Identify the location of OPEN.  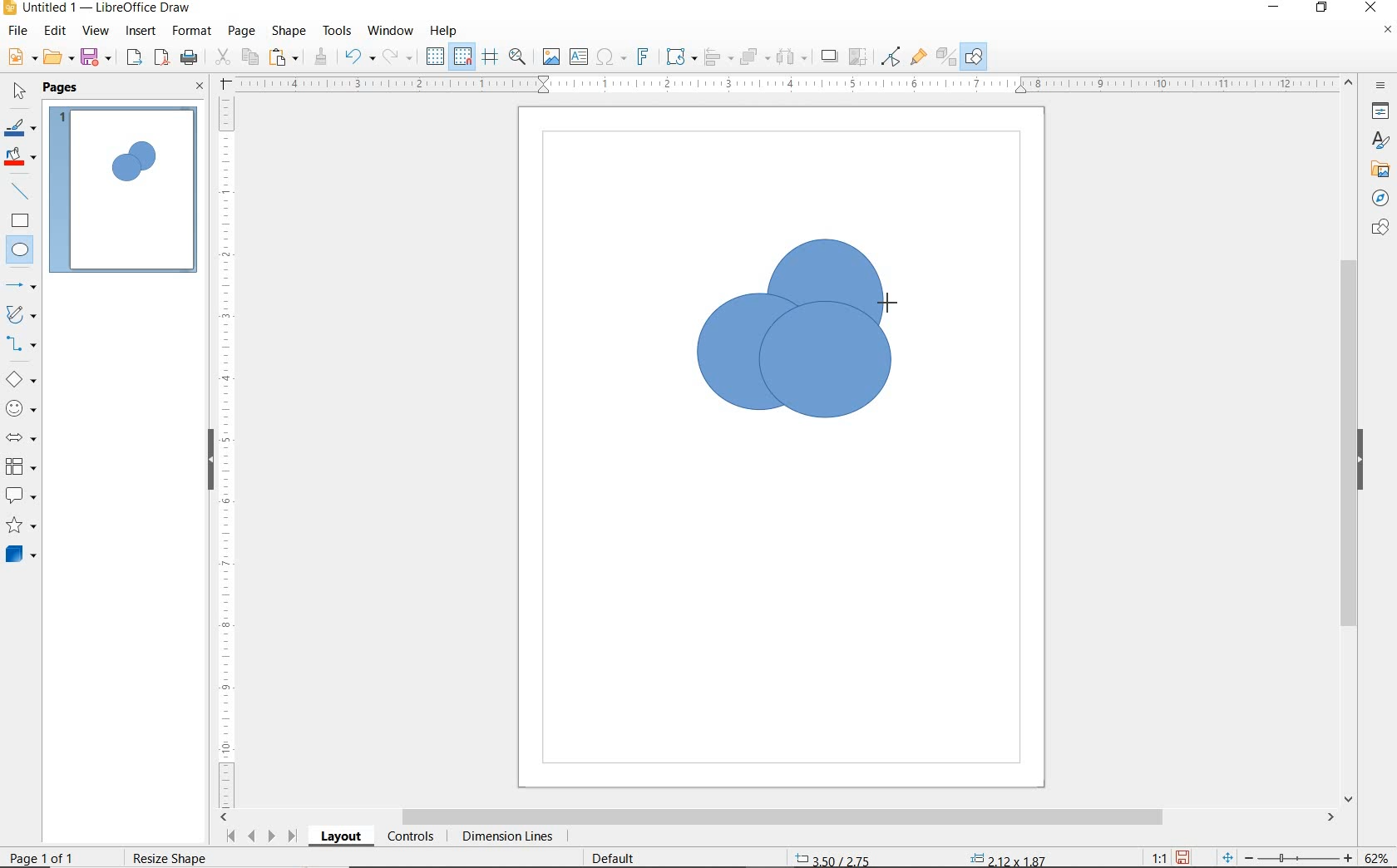
(58, 59).